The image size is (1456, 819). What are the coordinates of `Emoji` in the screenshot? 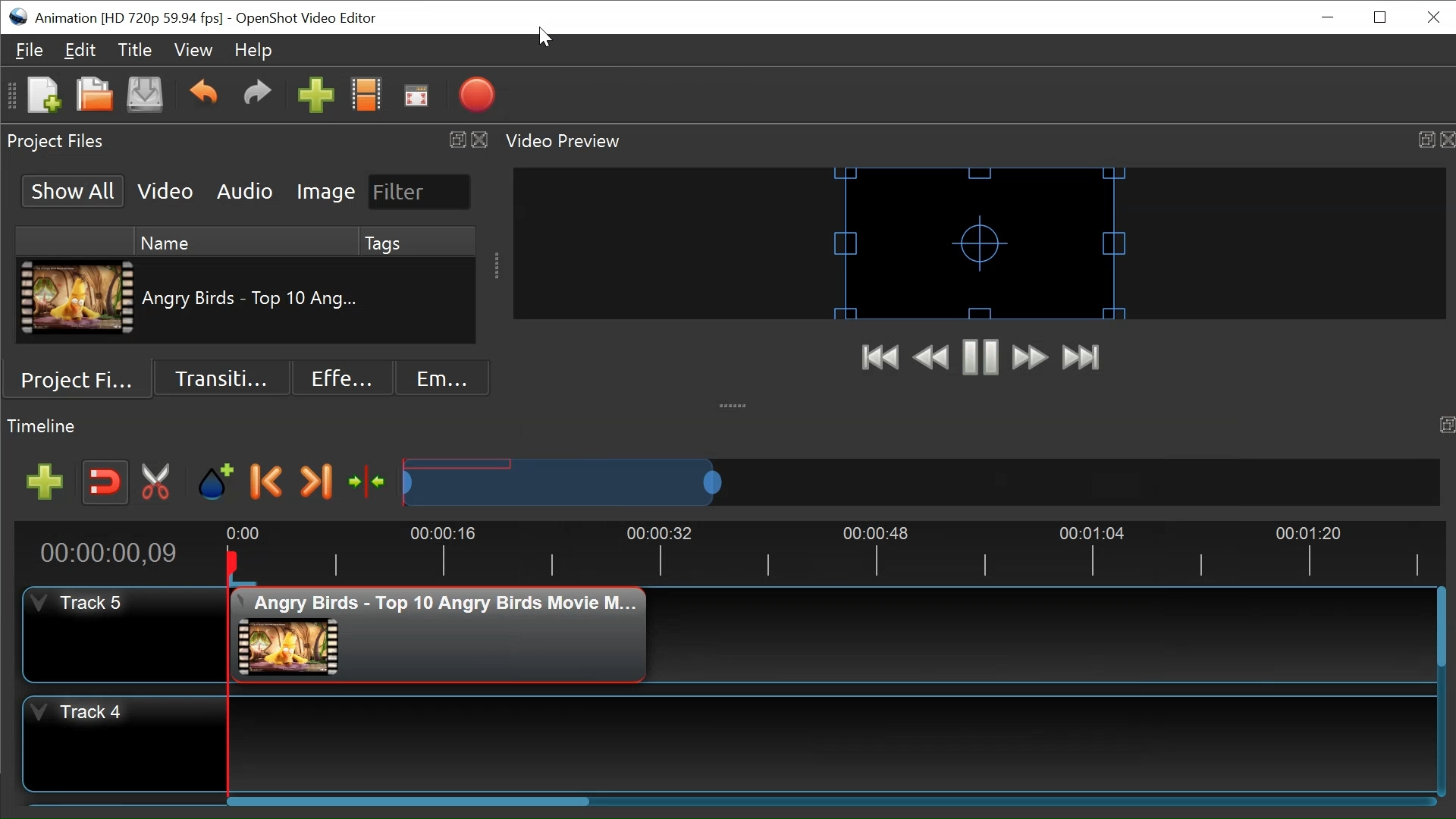 It's located at (443, 378).